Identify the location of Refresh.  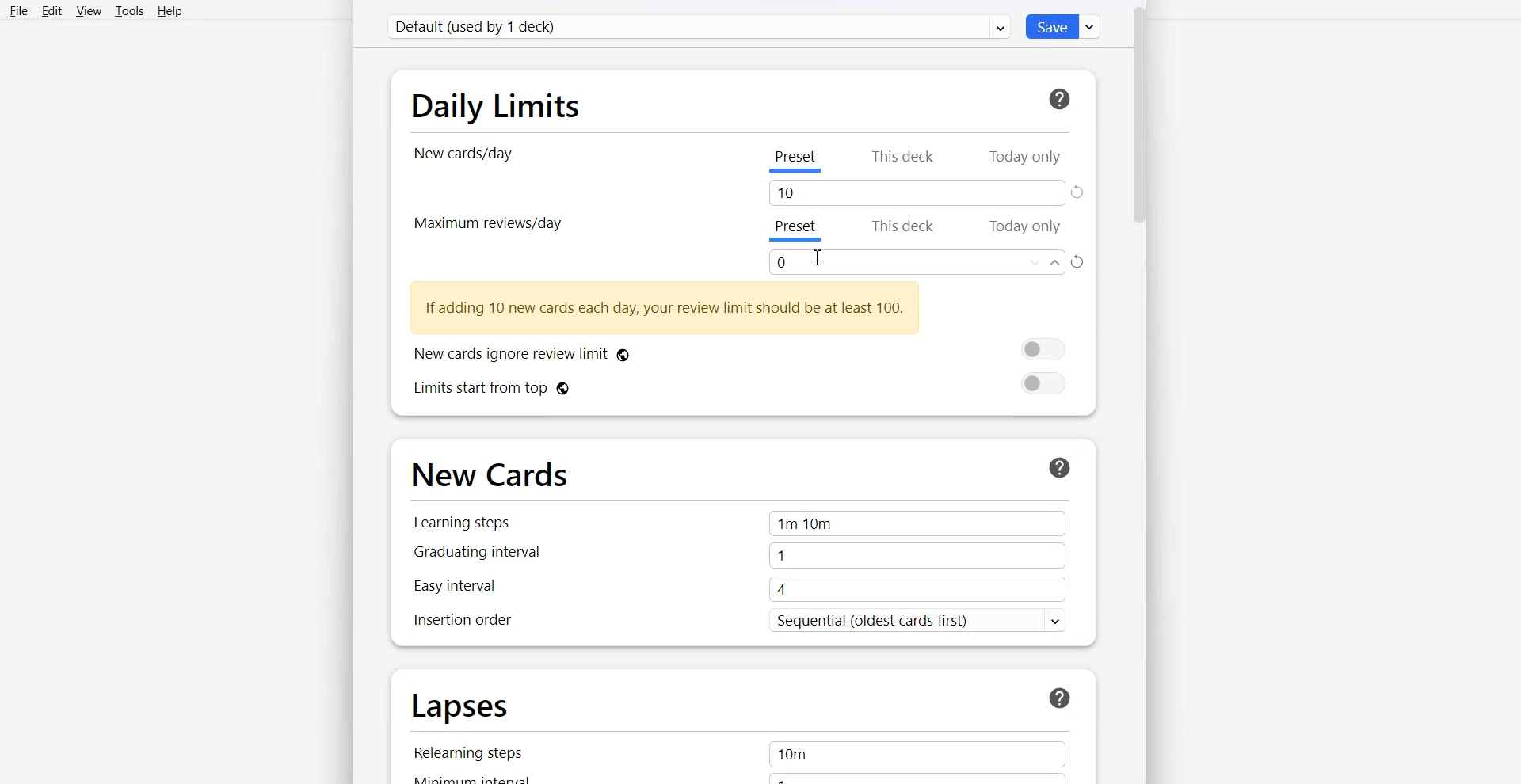
(1079, 193).